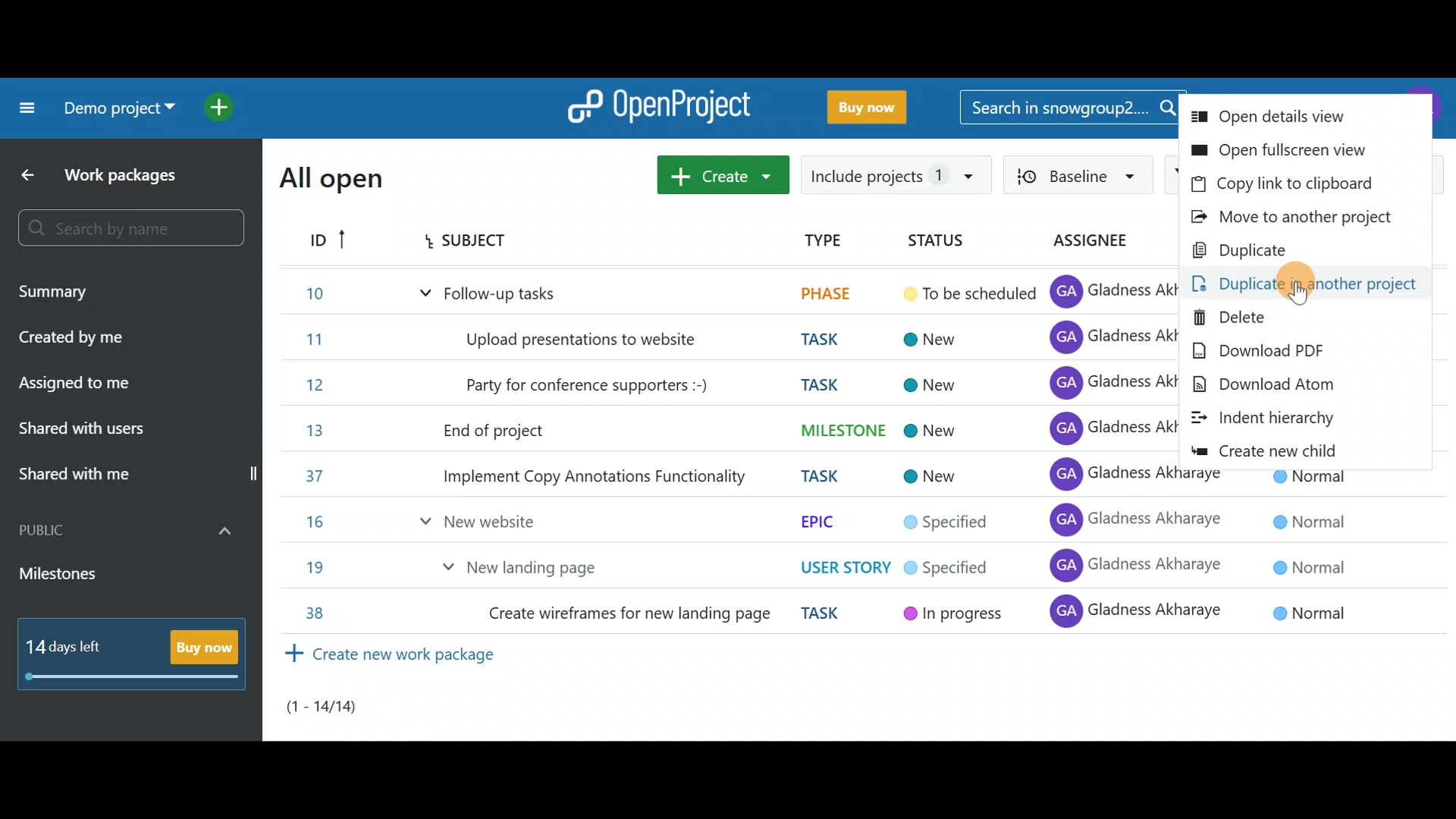 The image size is (1456, 819). What do you see at coordinates (308, 297) in the screenshot?
I see `10` at bounding box center [308, 297].